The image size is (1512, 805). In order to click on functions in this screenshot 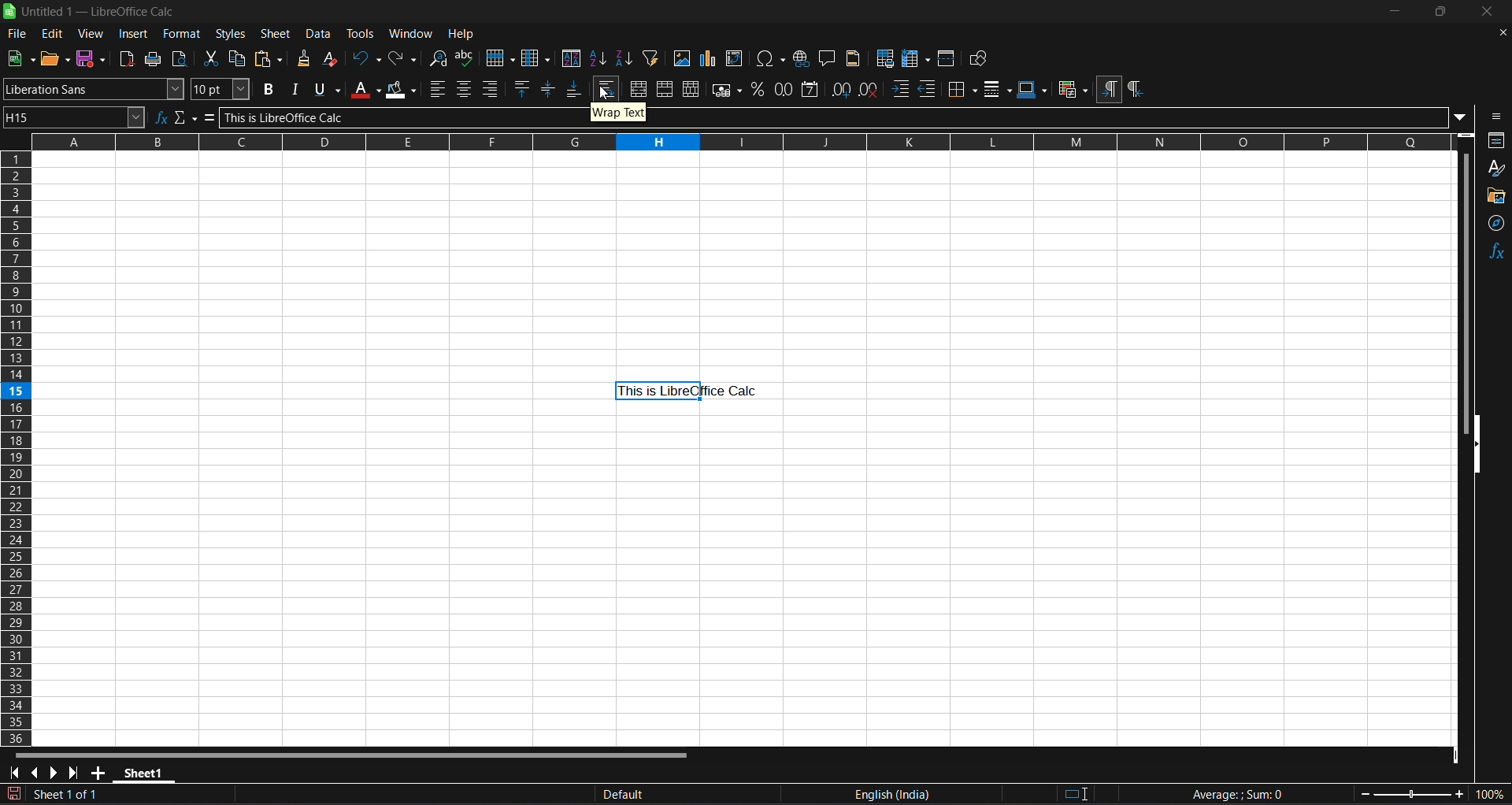, I will do `click(1493, 256)`.